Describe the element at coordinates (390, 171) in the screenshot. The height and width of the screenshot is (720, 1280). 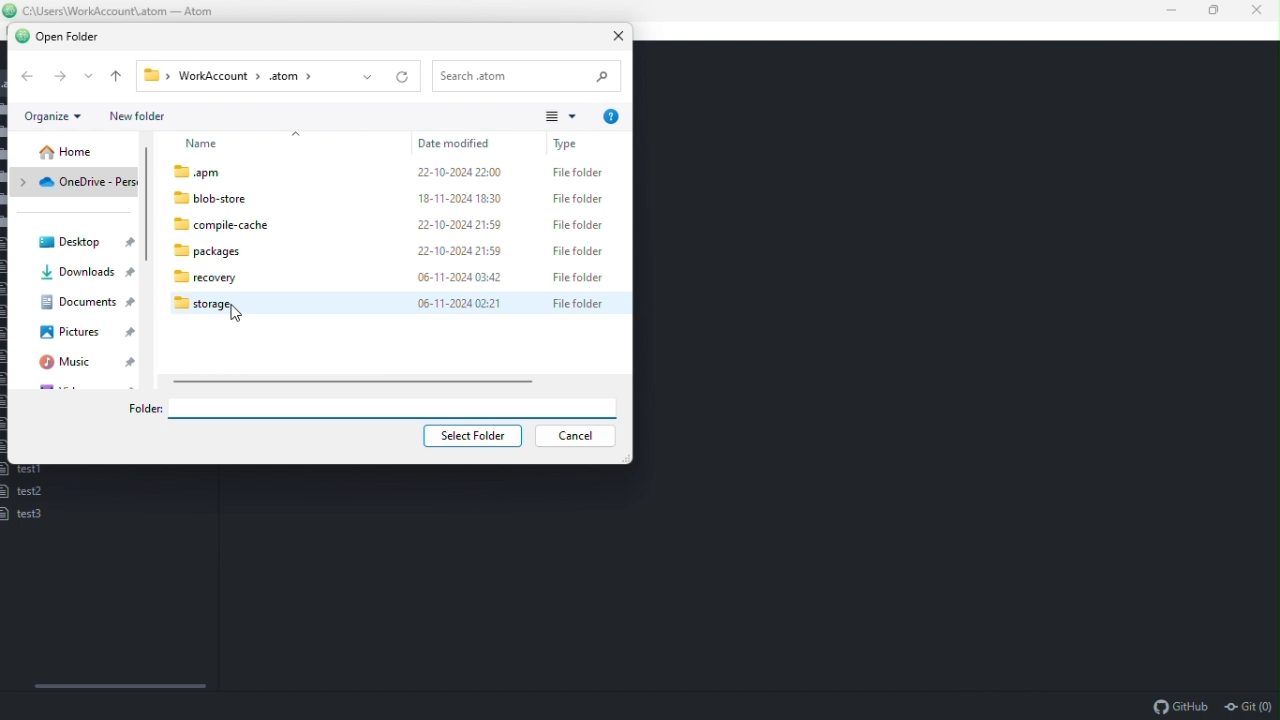
I see `amp` at that location.